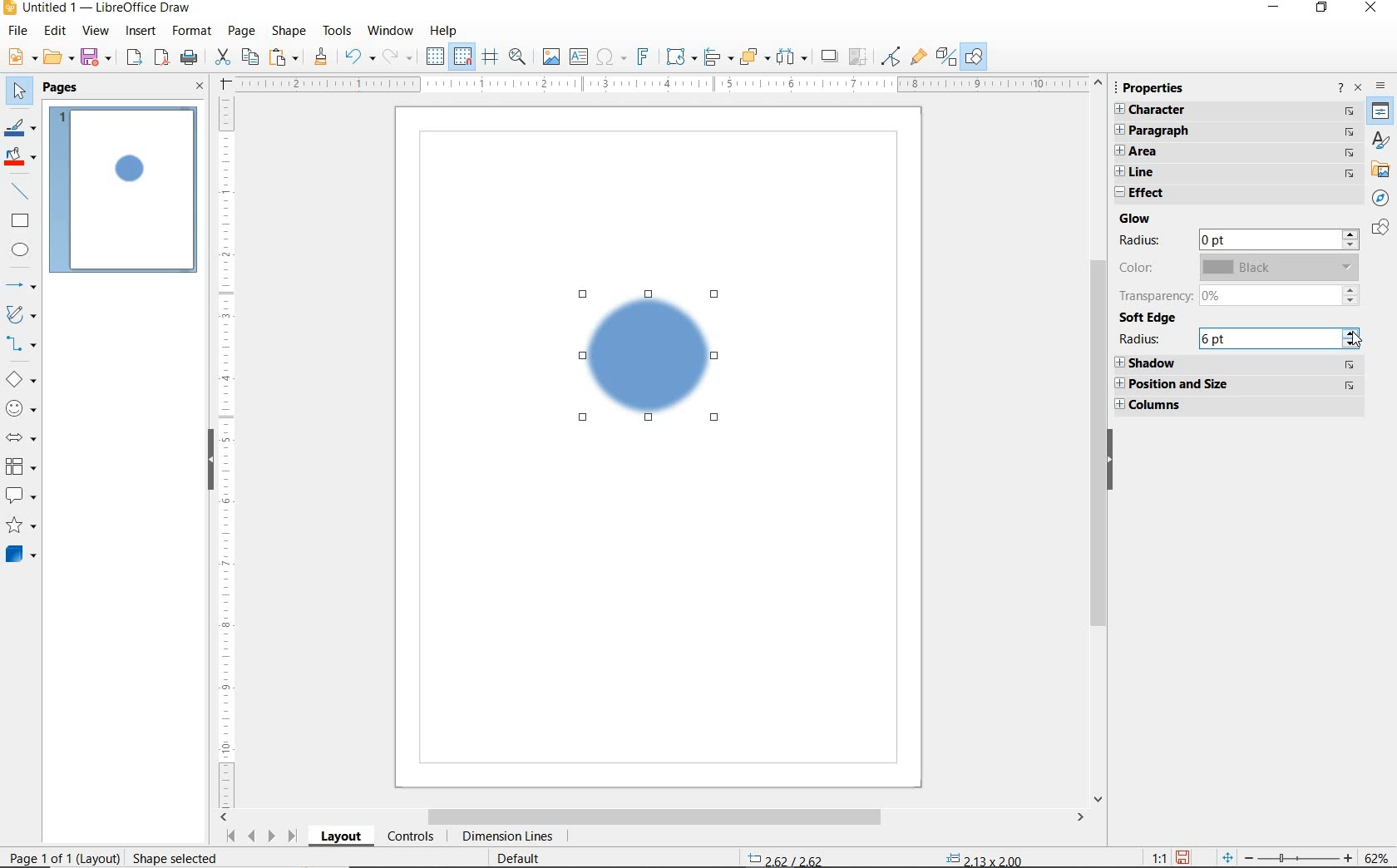  What do you see at coordinates (22, 158) in the screenshot?
I see `FILL COLOR` at bounding box center [22, 158].